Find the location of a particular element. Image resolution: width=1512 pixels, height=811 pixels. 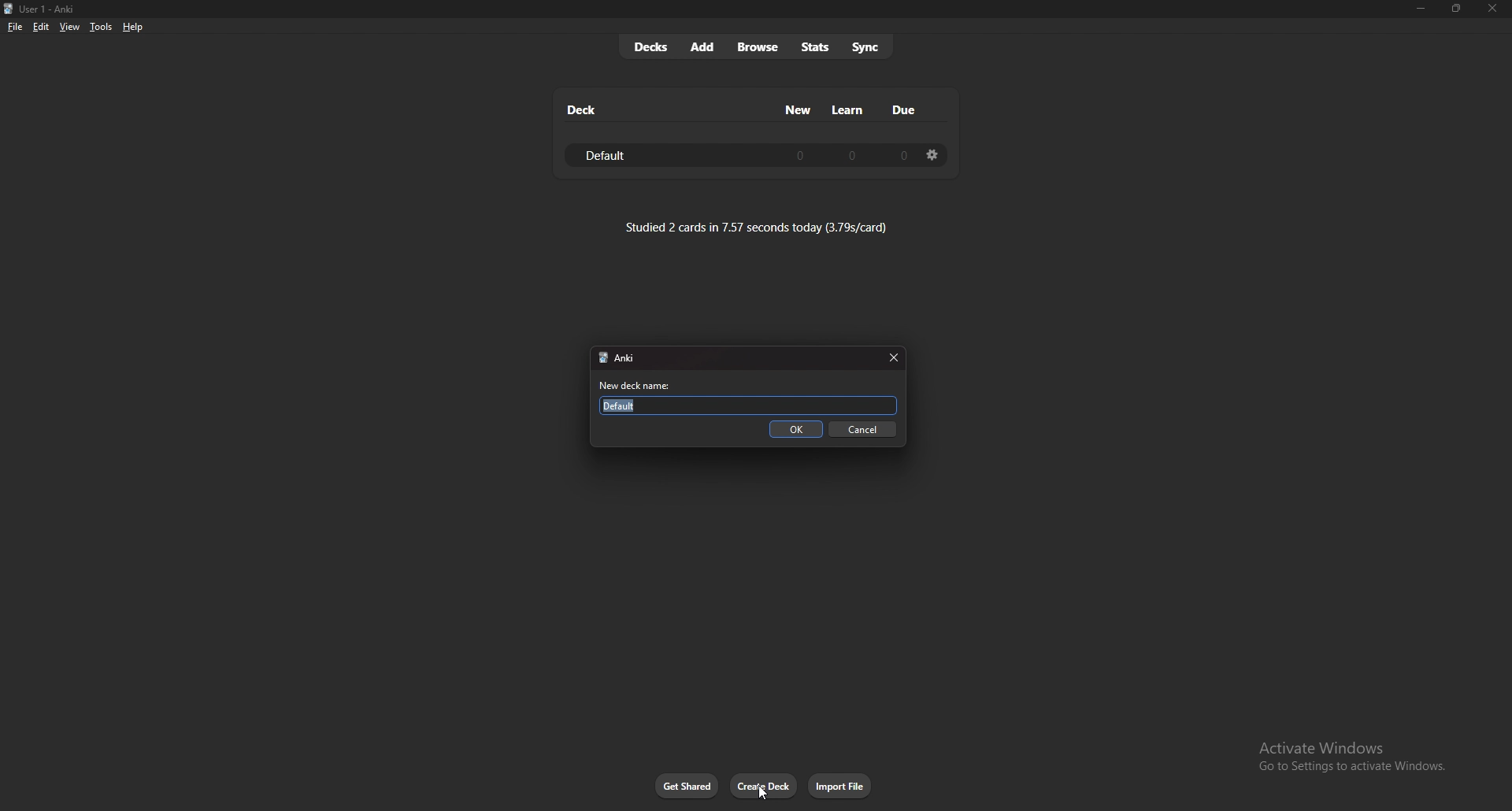

sync is located at coordinates (867, 46).